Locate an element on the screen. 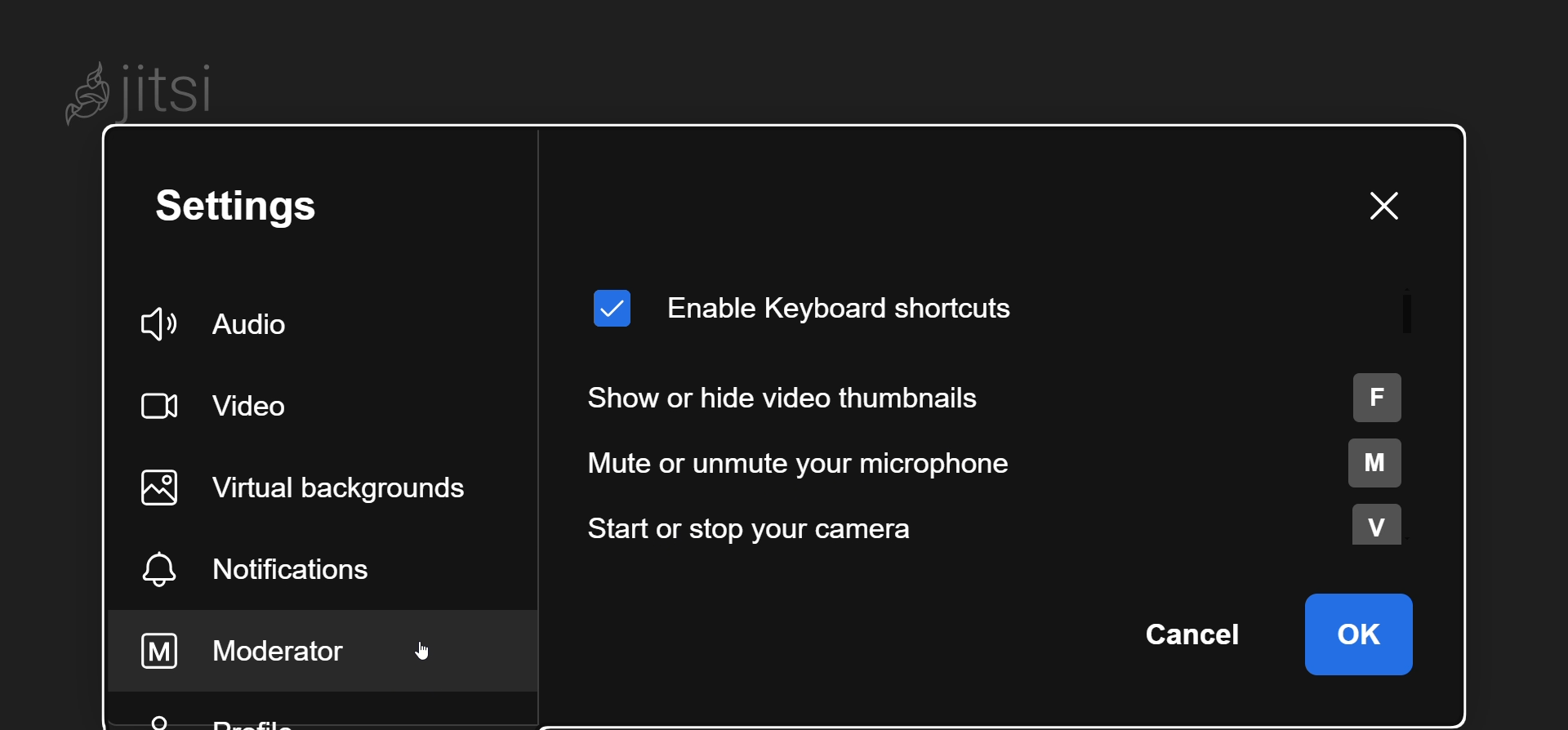  video is located at coordinates (222, 405).